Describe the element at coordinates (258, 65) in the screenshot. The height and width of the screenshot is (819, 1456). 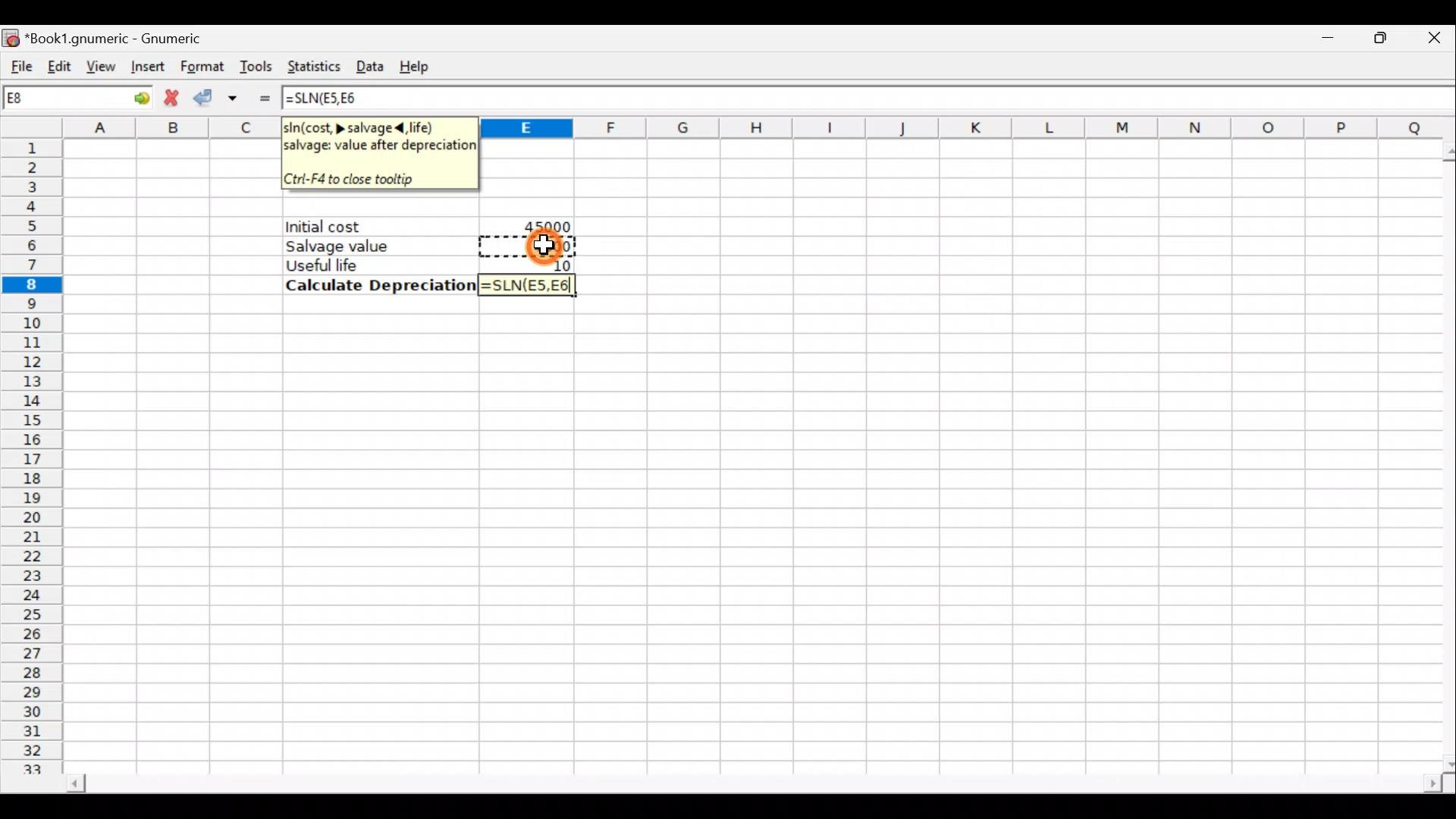
I see `Tools` at that location.